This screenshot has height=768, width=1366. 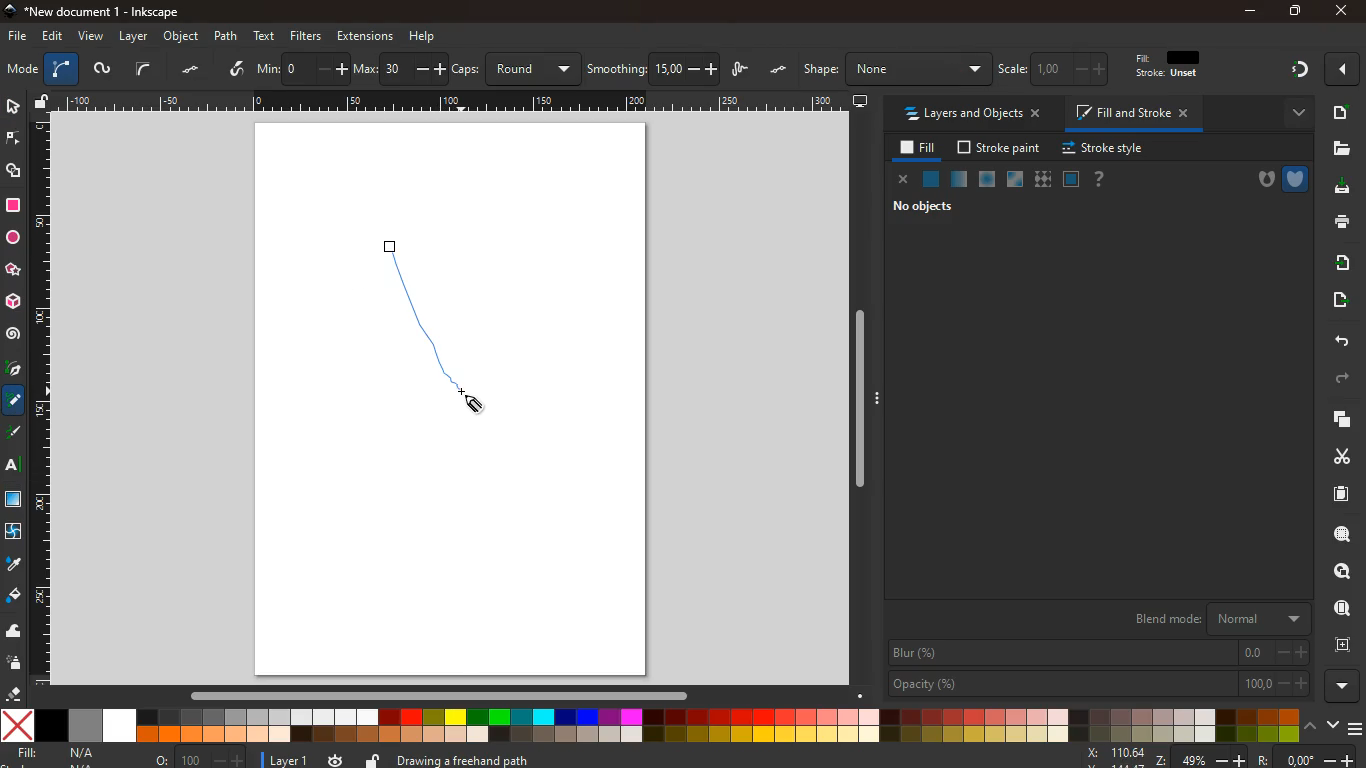 What do you see at coordinates (15, 436) in the screenshot?
I see `draw` at bounding box center [15, 436].